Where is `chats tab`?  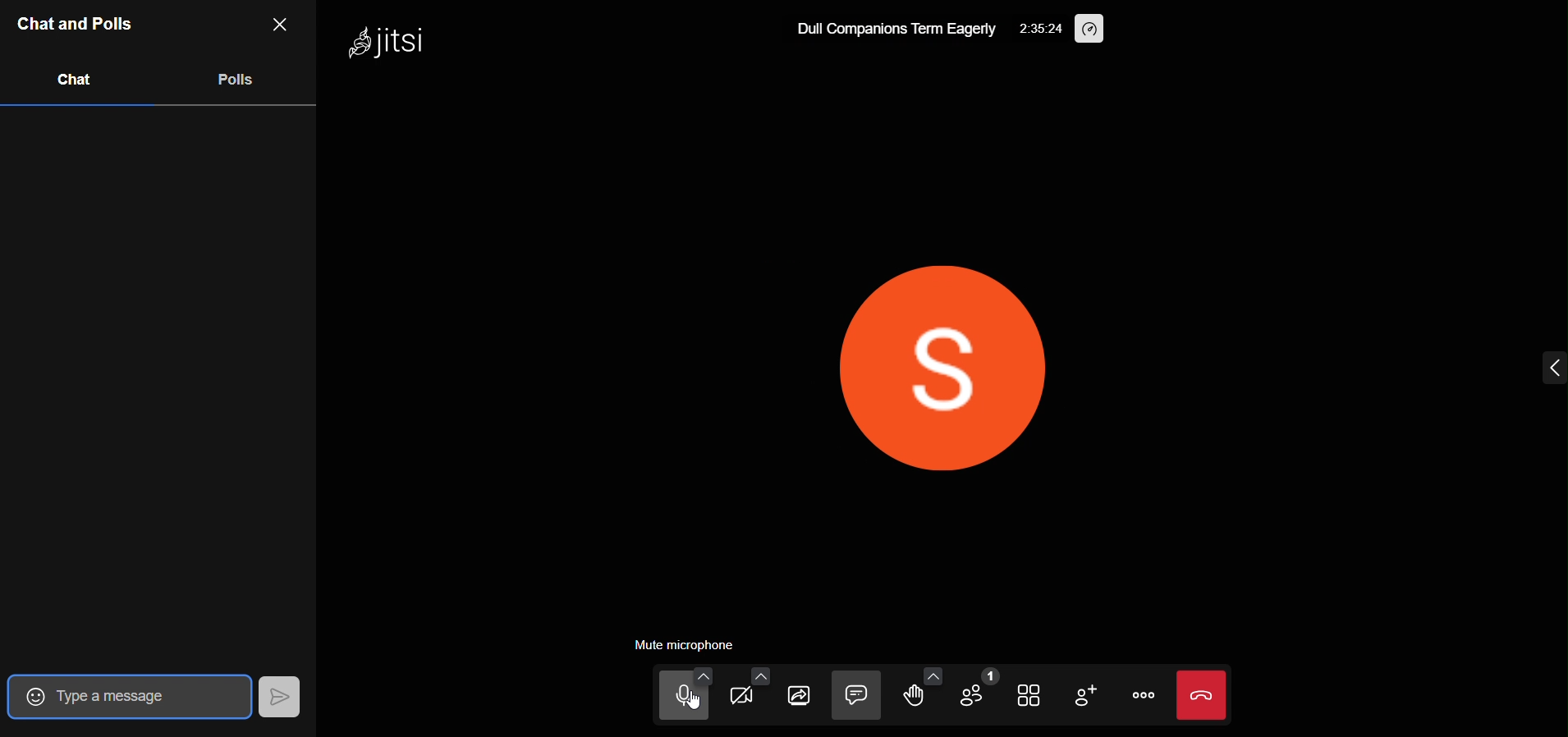 chats tab is located at coordinates (76, 85).